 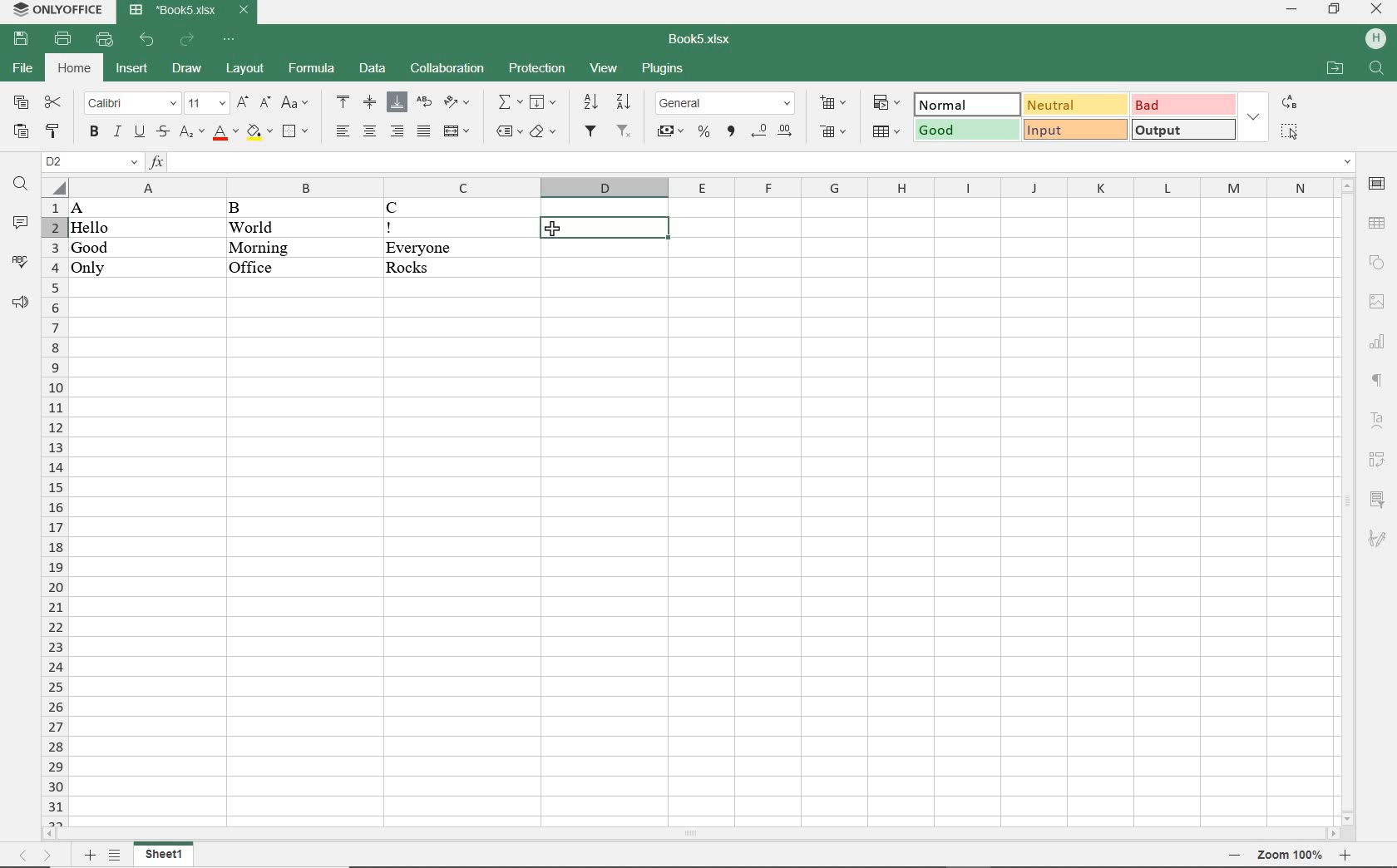 What do you see at coordinates (190, 135) in the screenshot?
I see `subscript/superscript` at bounding box center [190, 135].